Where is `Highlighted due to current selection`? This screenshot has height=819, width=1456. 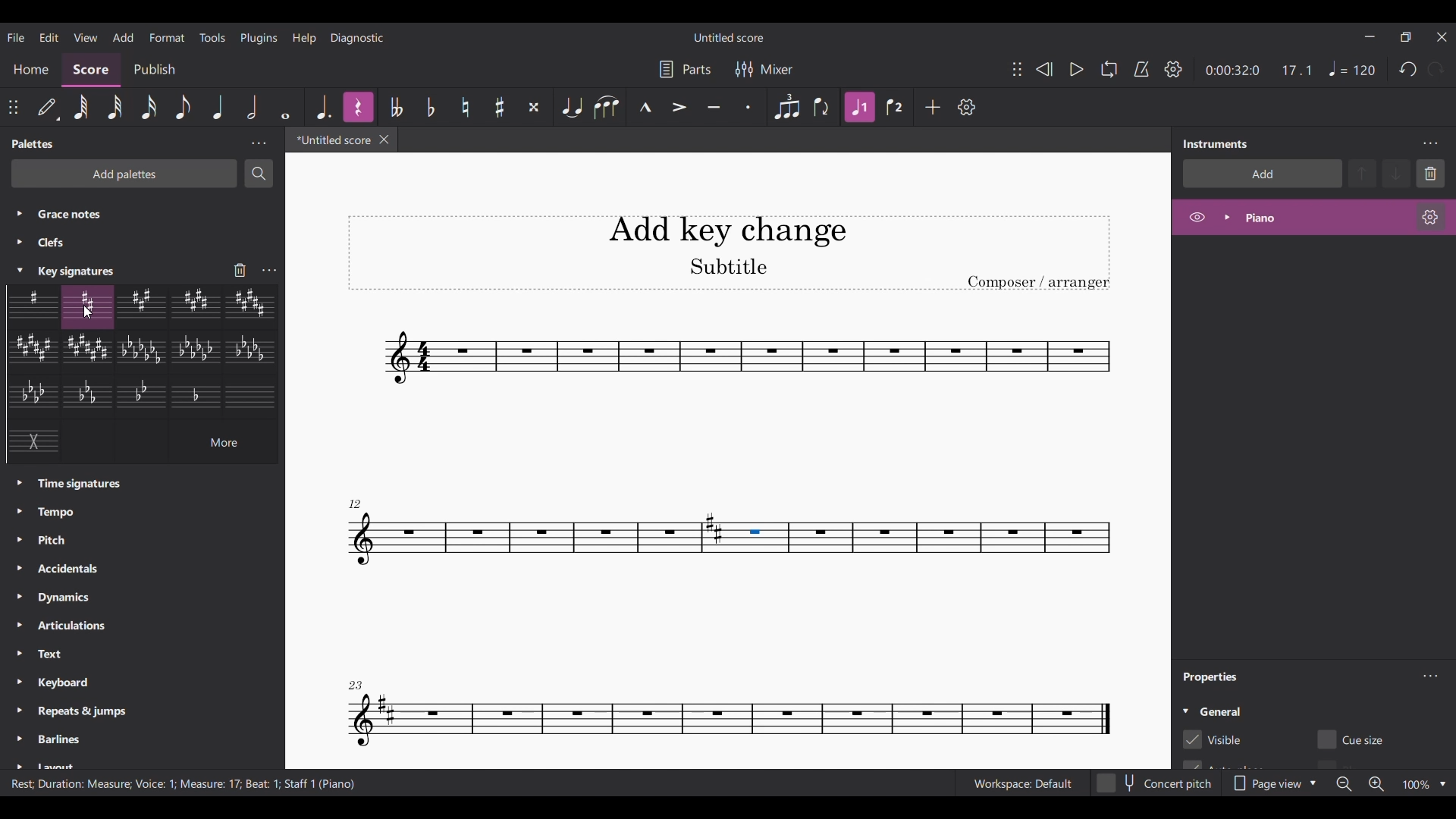 Highlighted due to current selection is located at coordinates (358, 107).